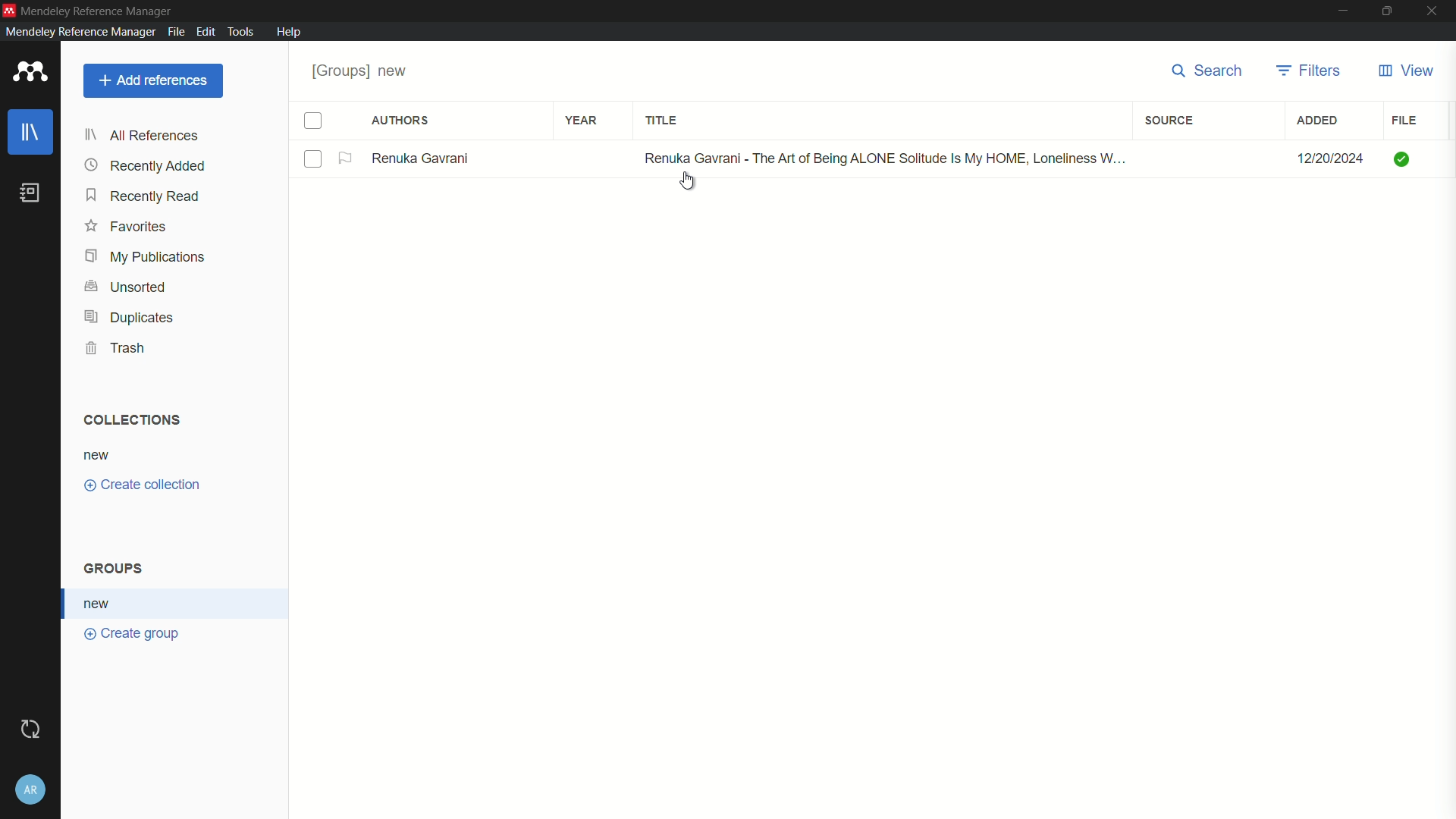  What do you see at coordinates (146, 166) in the screenshot?
I see `recently added` at bounding box center [146, 166].